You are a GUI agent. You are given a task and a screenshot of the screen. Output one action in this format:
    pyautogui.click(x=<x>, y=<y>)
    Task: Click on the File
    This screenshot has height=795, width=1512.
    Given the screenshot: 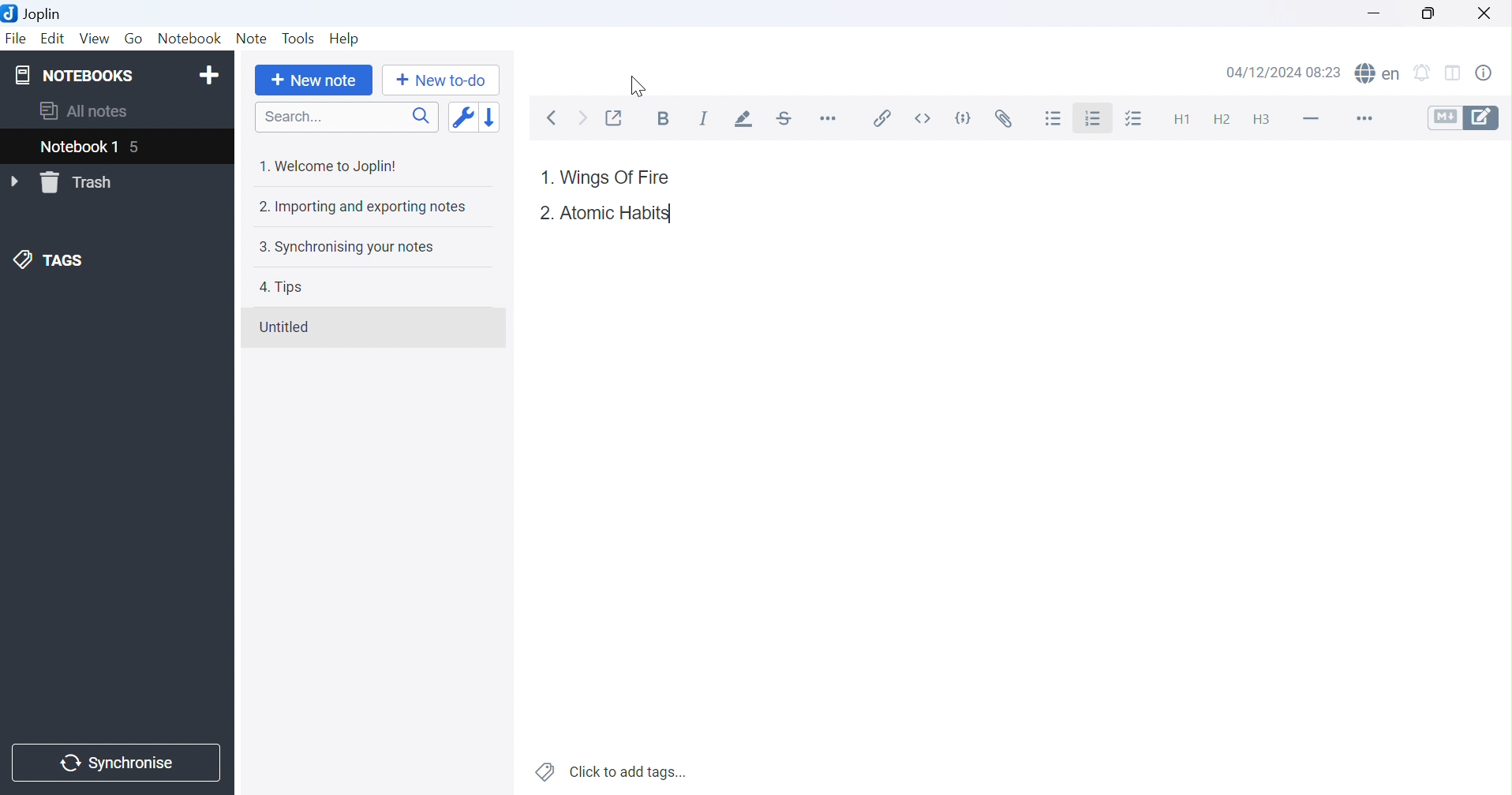 What is the action you would take?
    pyautogui.click(x=16, y=39)
    